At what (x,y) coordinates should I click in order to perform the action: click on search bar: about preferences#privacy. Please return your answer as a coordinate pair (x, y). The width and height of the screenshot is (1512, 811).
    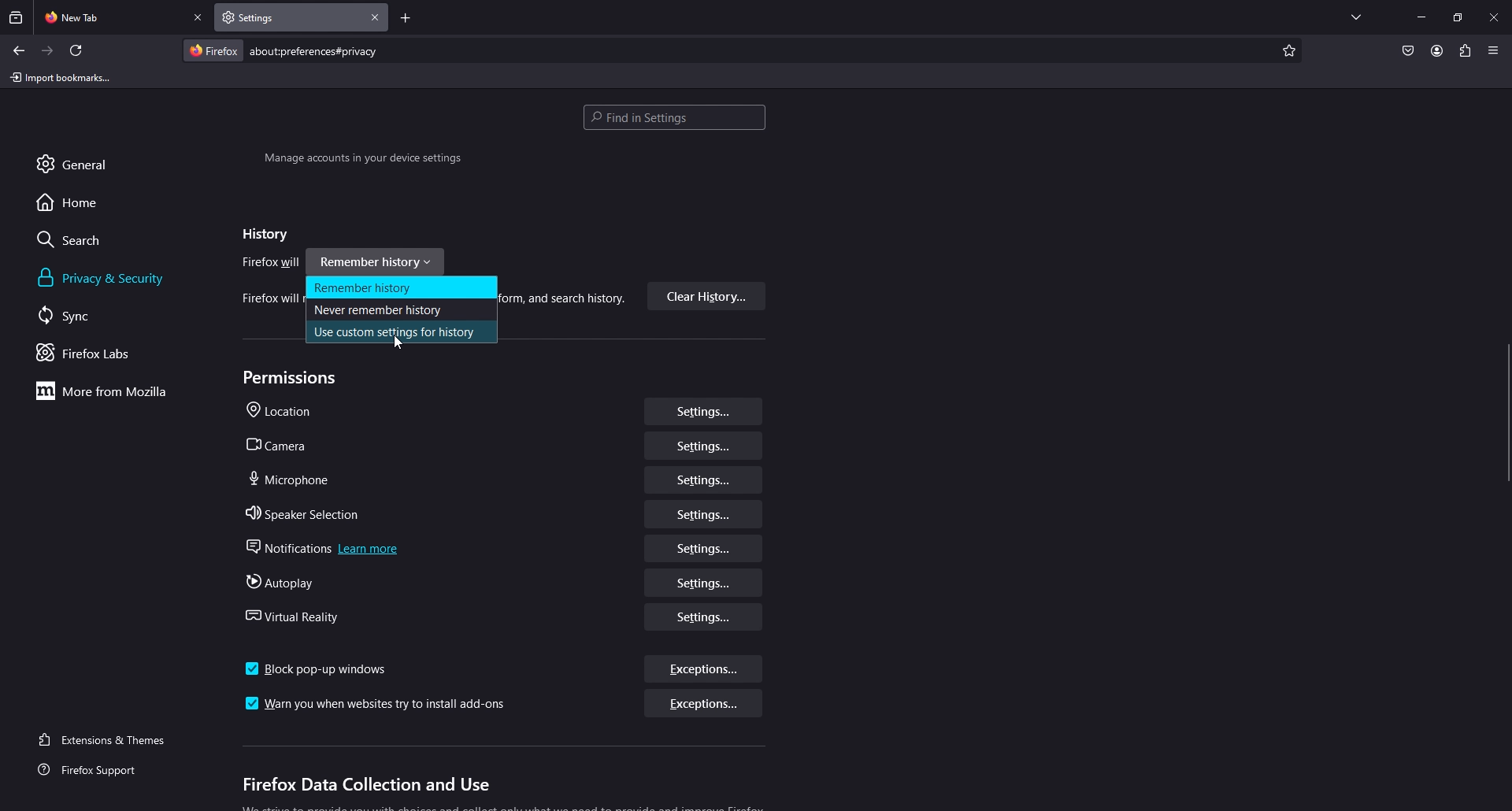
    Looking at the image, I should click on (312, 50).